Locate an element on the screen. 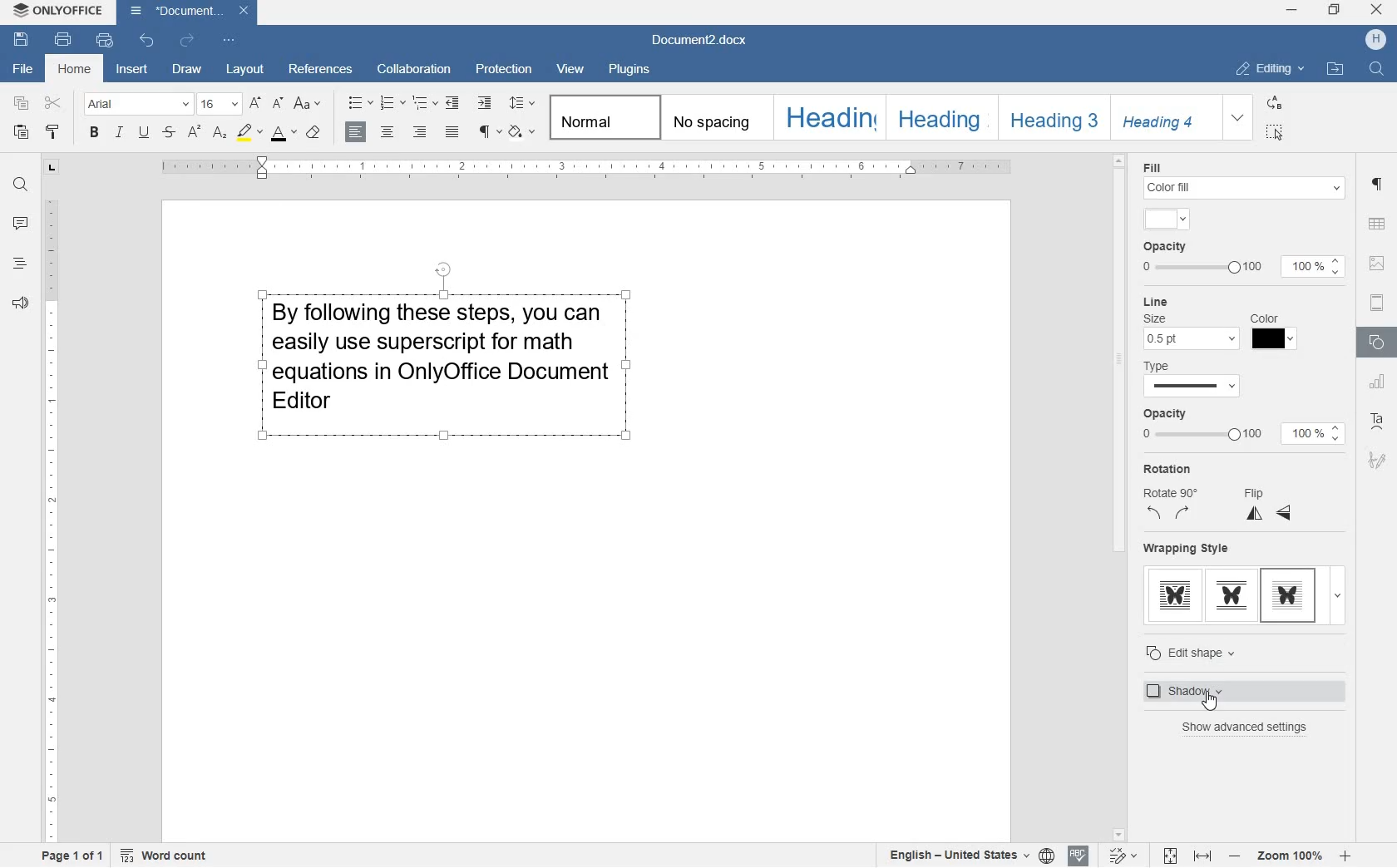 This screenshot has height=868, width=1397. numbering is located at coordinates (394, 102).